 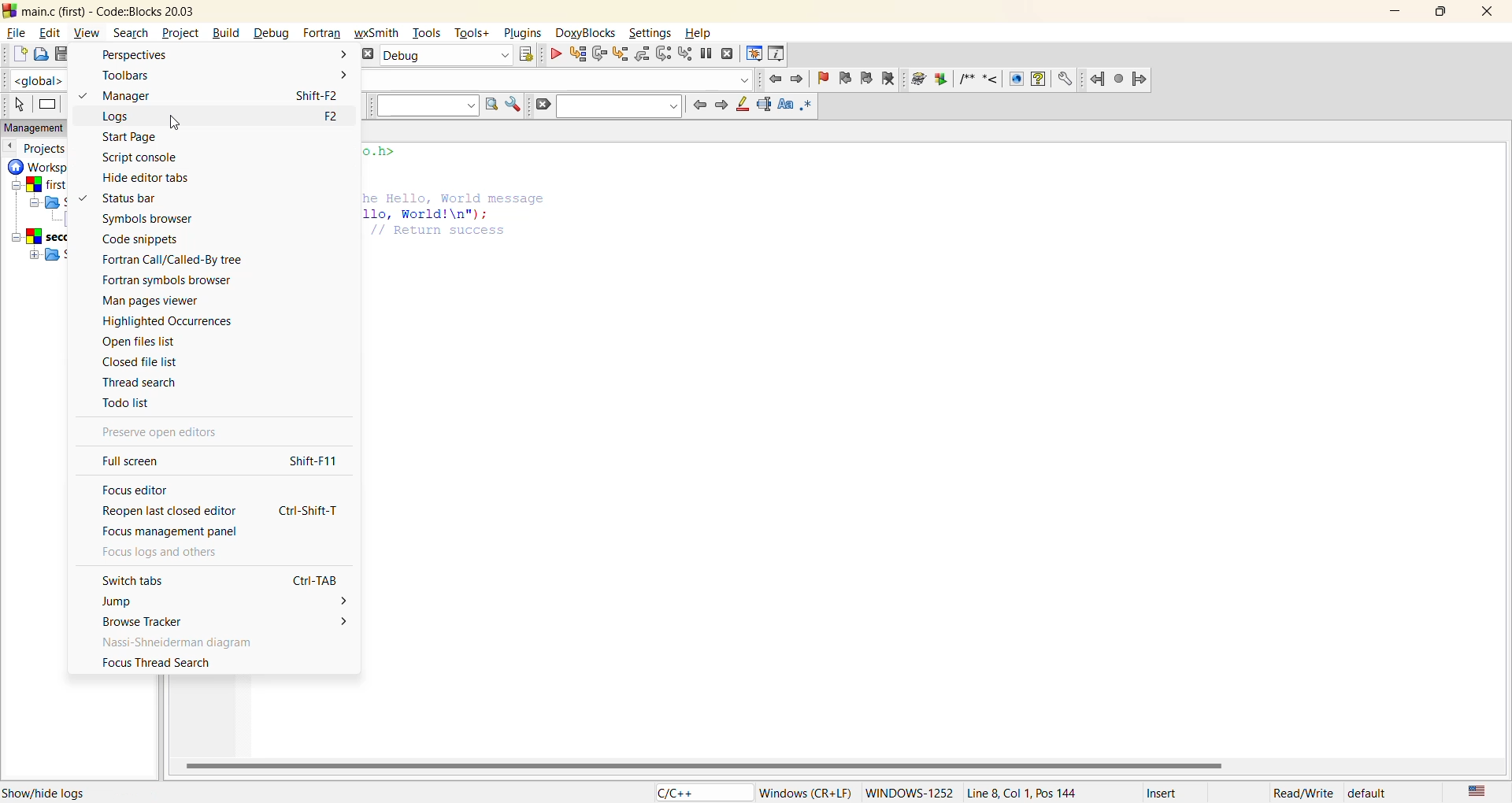 I want to click on highlighted occurences, so click(x=175, y=321).